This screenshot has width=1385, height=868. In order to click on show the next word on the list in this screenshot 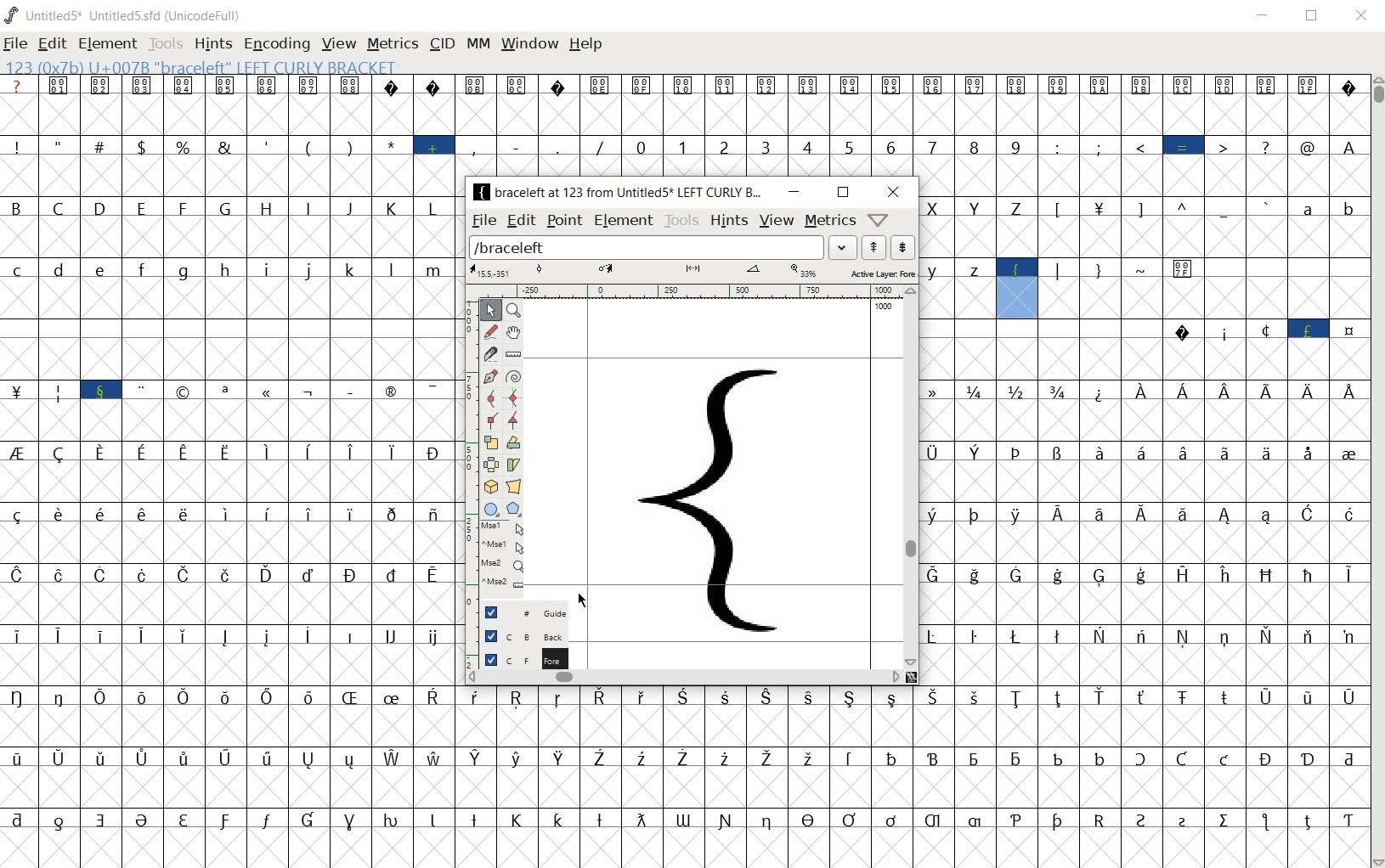, I will do `click(876, 247)`.